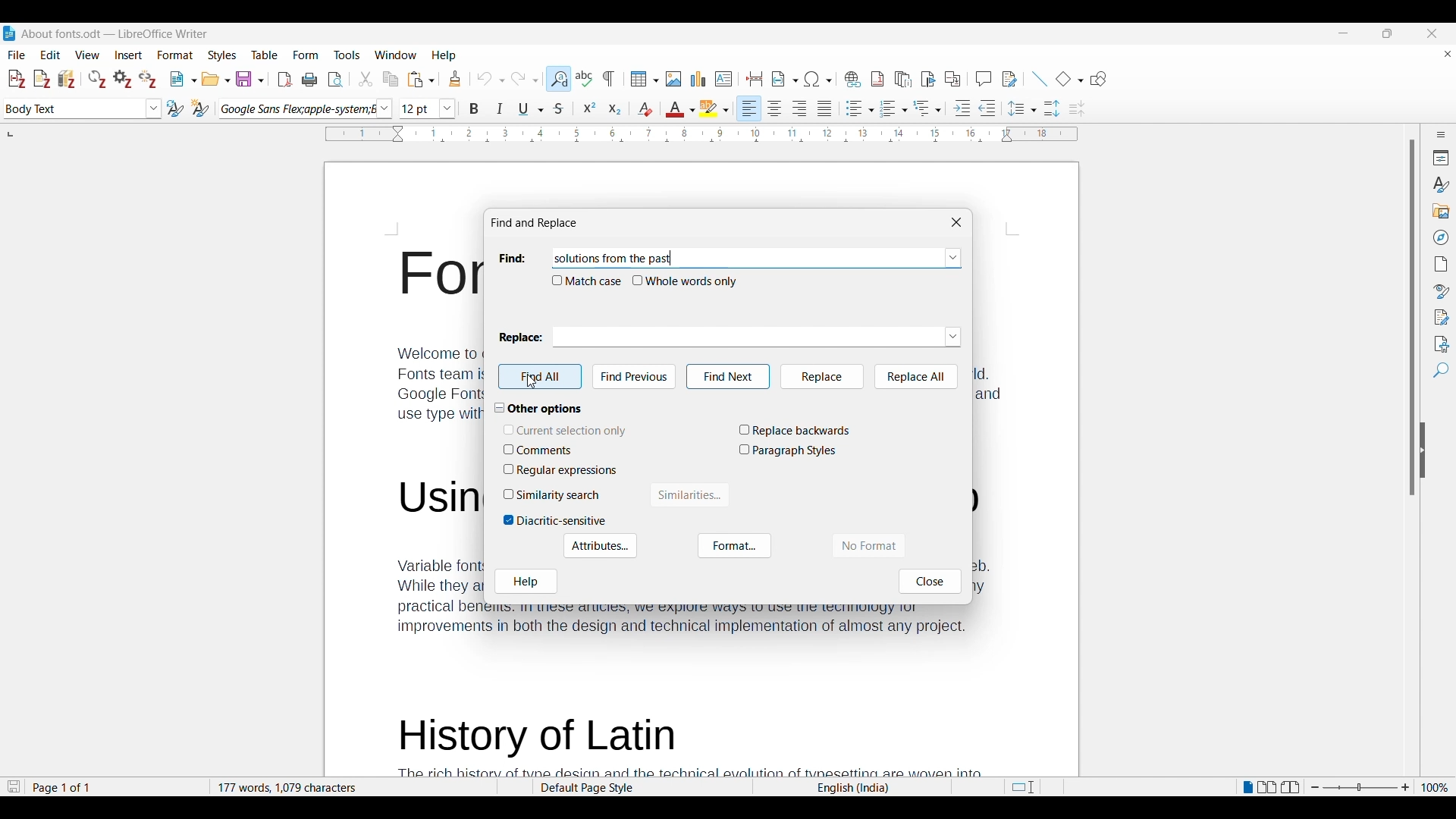 The width and height of the screenshot is (1456, 819). What do you see at coordinates (97, 79) in the screenshot?
I see `Refresh` at bounding box center [97, 79].